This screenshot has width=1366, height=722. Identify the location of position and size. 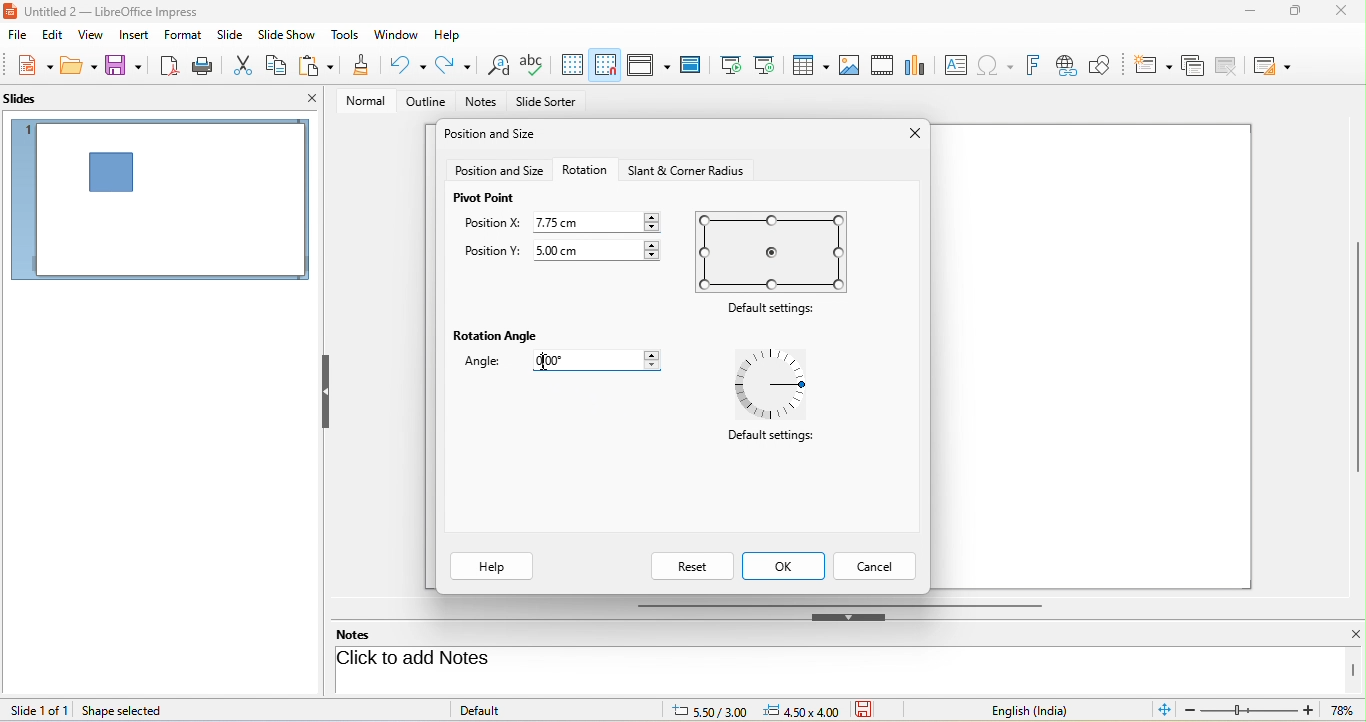
(494, 136).